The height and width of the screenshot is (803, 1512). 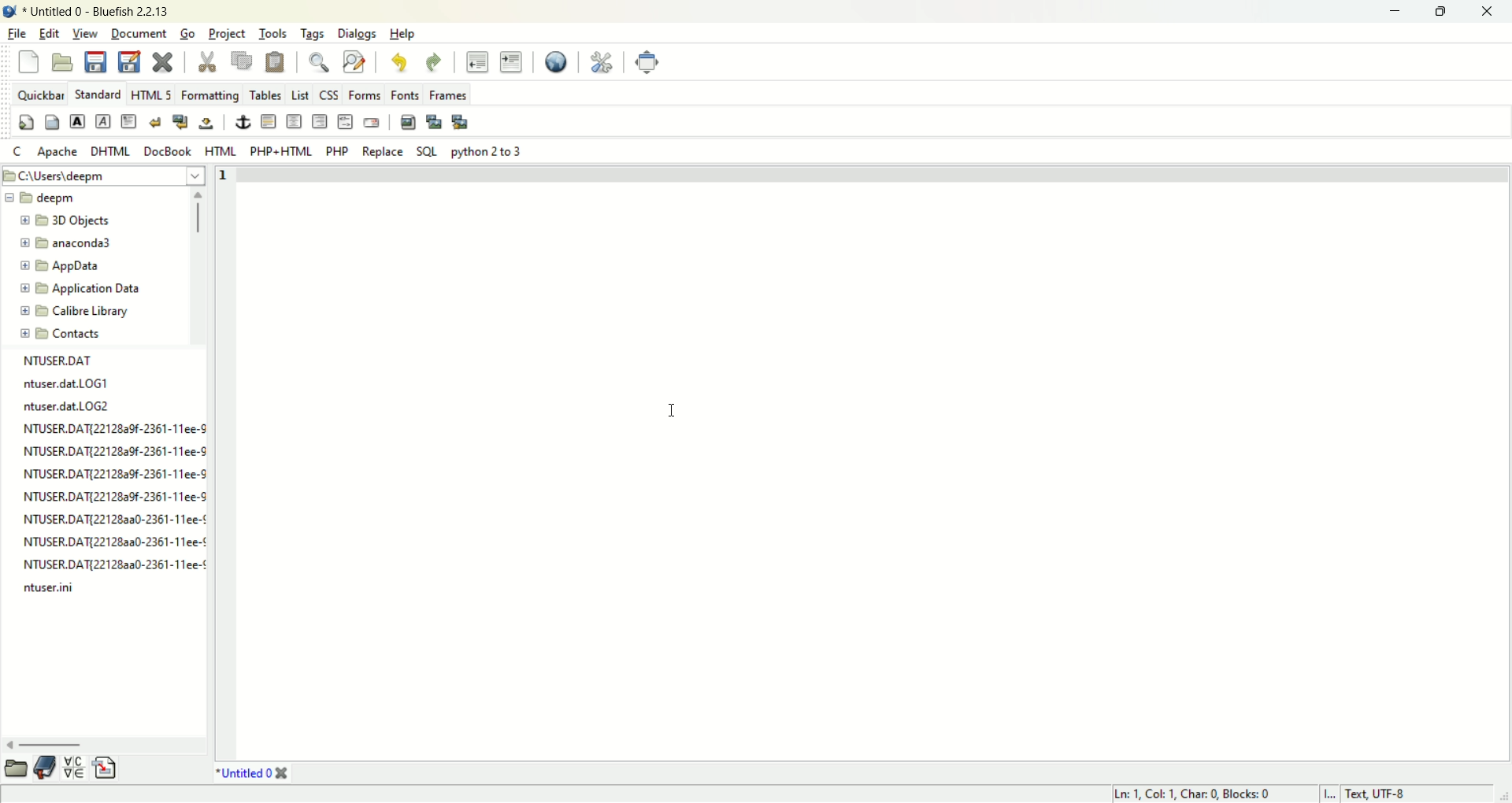 I want to click on cut, so click(x=206, y=62).